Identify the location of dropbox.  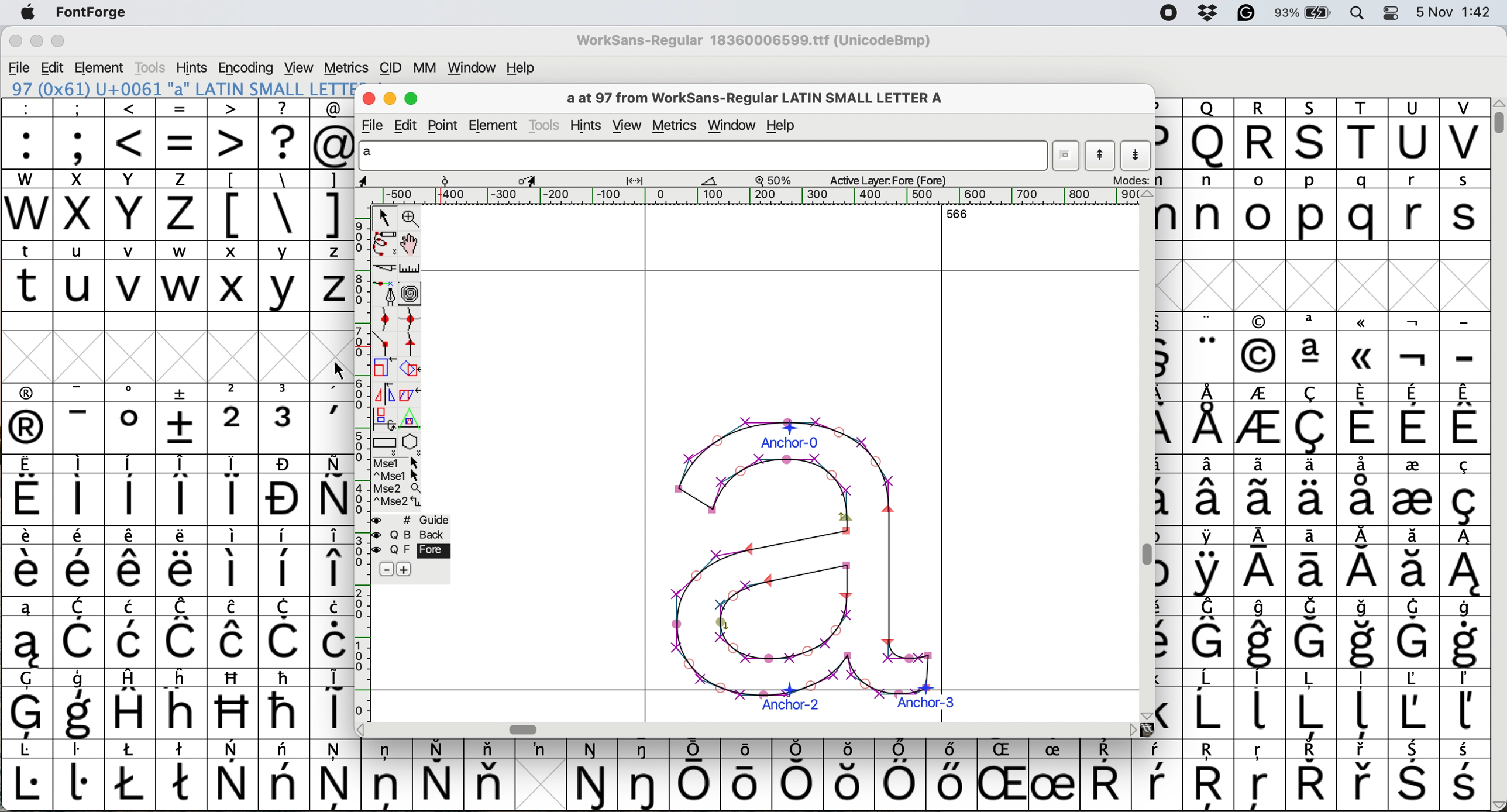
(1204, 13).